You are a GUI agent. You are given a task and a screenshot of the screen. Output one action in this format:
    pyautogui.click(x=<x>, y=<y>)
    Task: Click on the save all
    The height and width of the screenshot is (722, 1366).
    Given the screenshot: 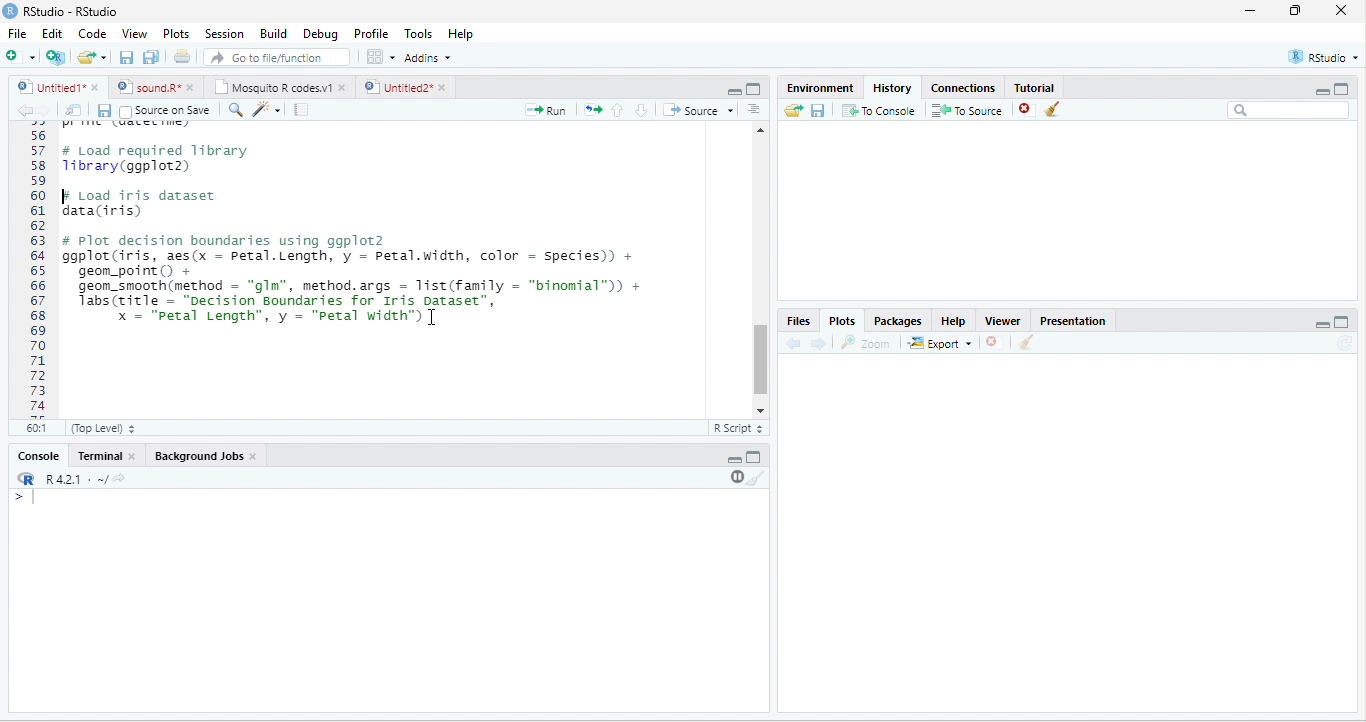 What is the action you would take?
    pyautogui.click(x=150, y=57)
    